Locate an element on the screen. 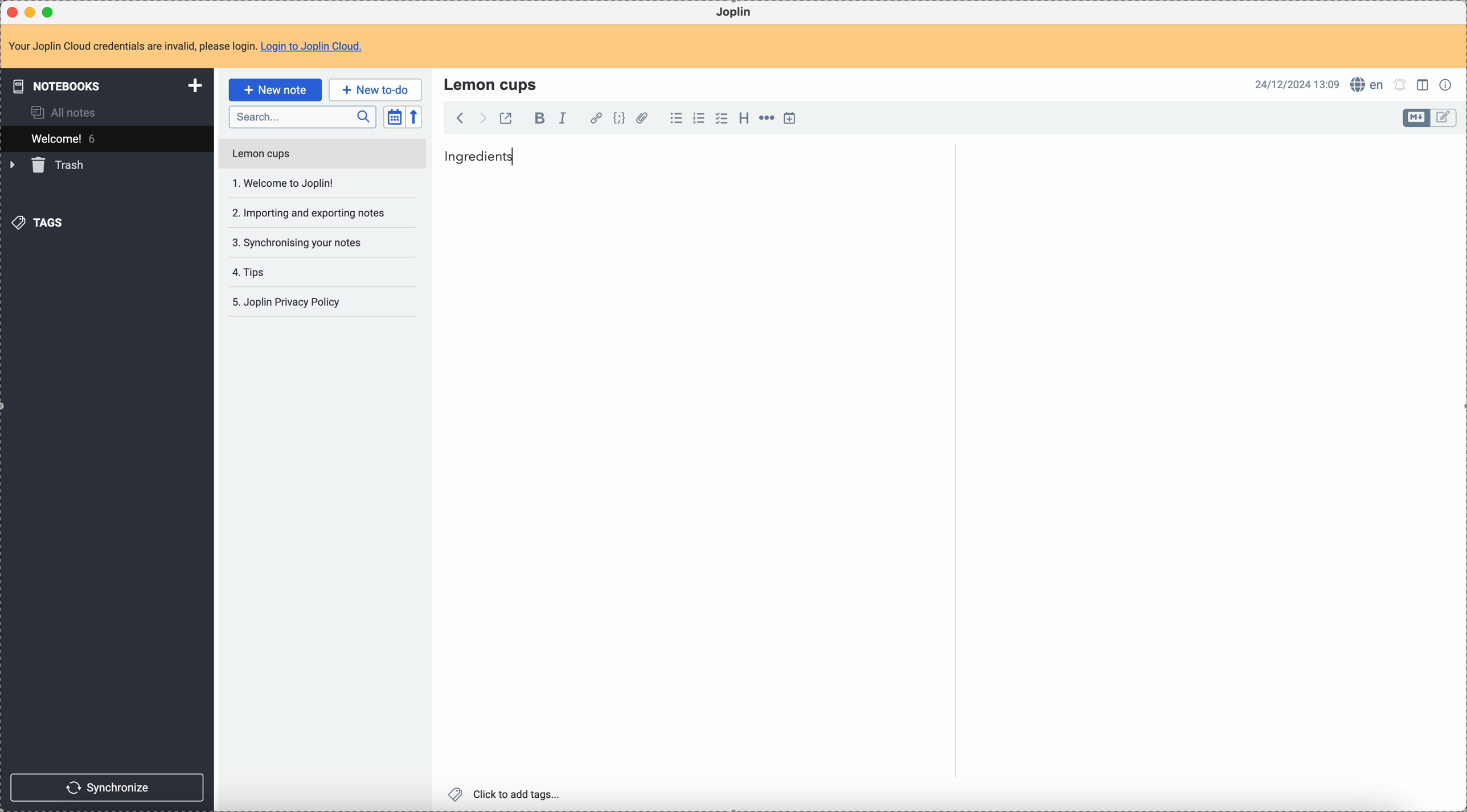 This screenshot has height=812, width=1467. foward is located at coordinates (481, 118).